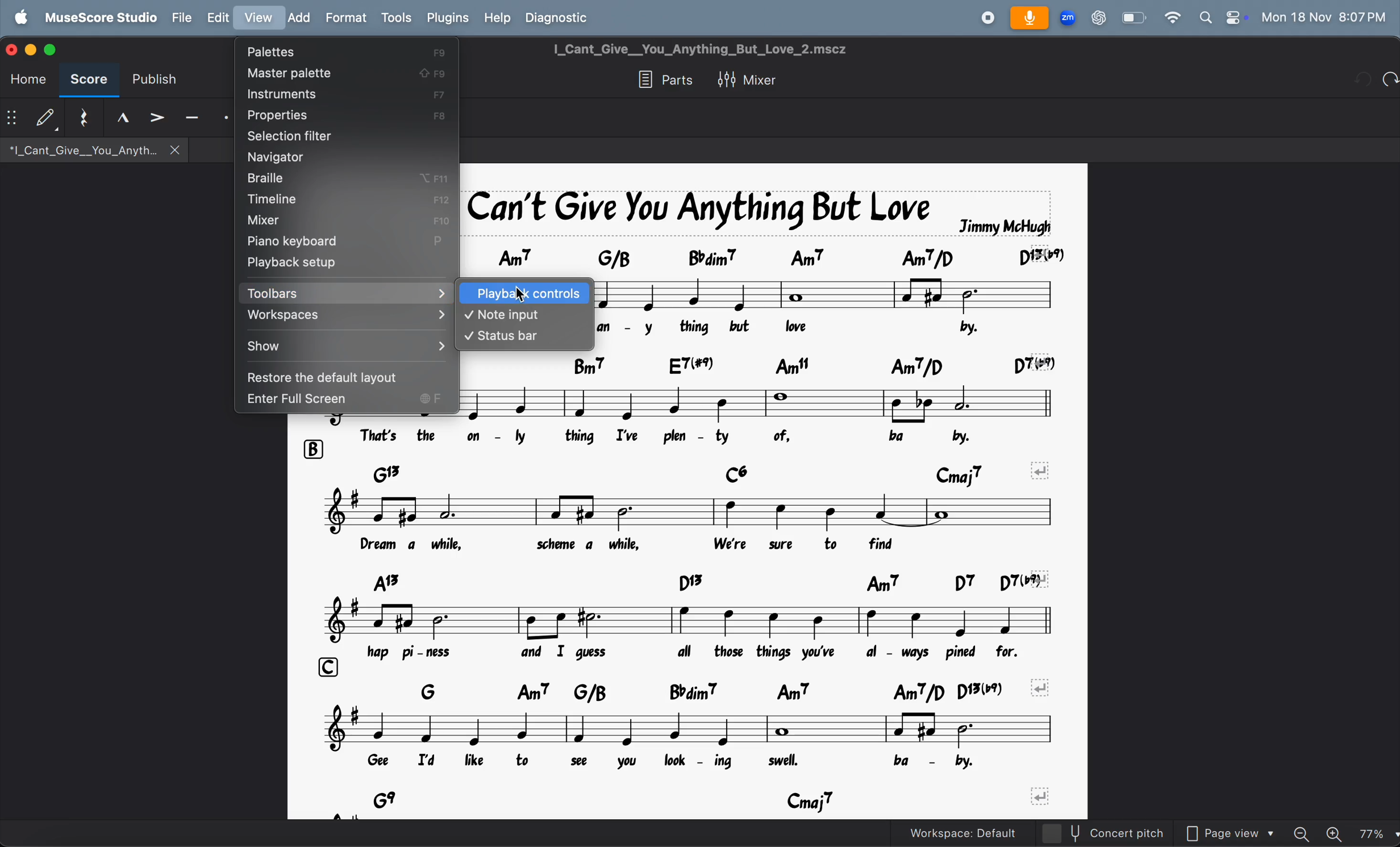 This screenshot has width=1400, height=847. I want to click on notes, so click(693, 621).